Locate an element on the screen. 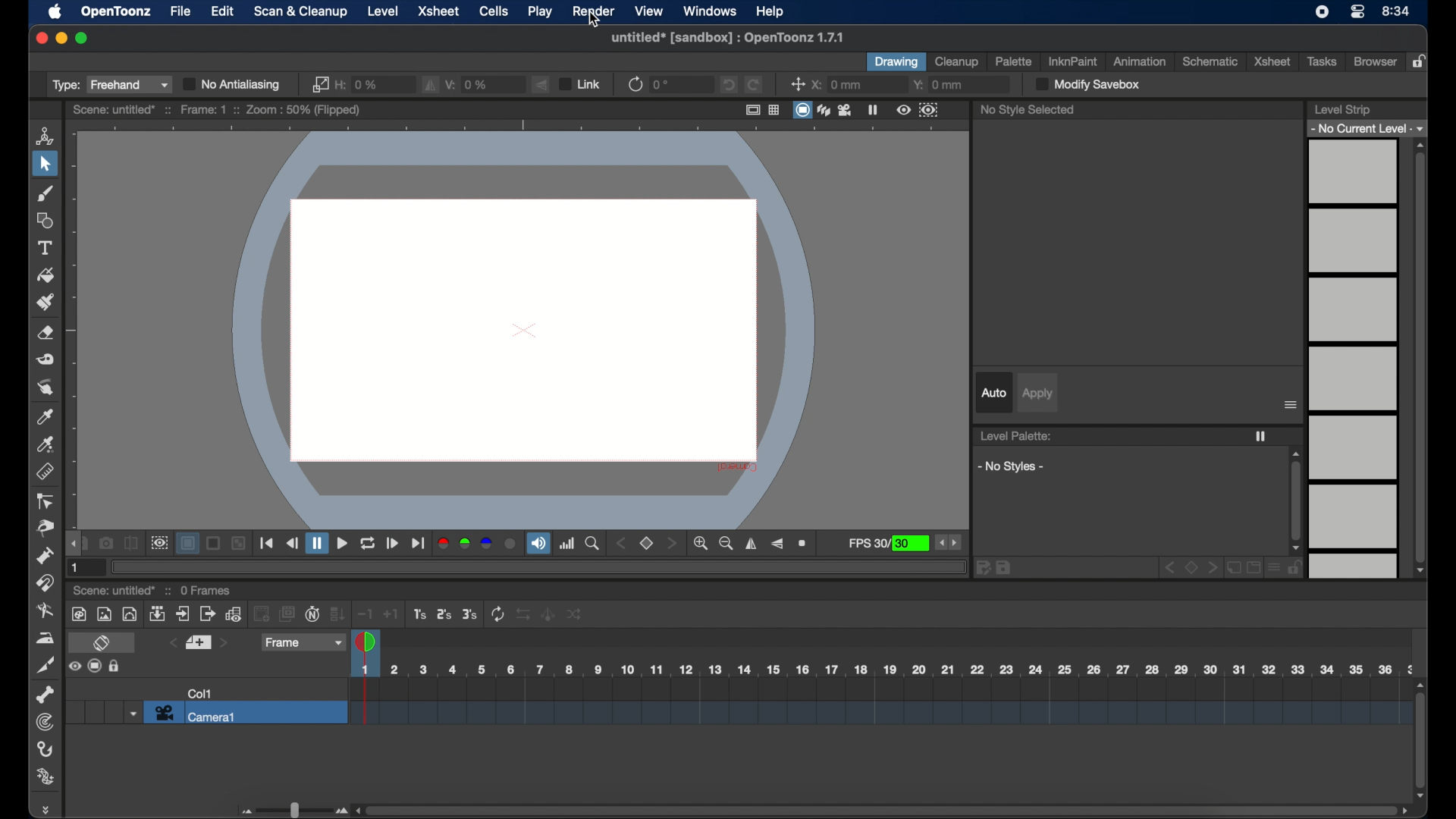  flip horizontally is located at coordinates (752, 544).